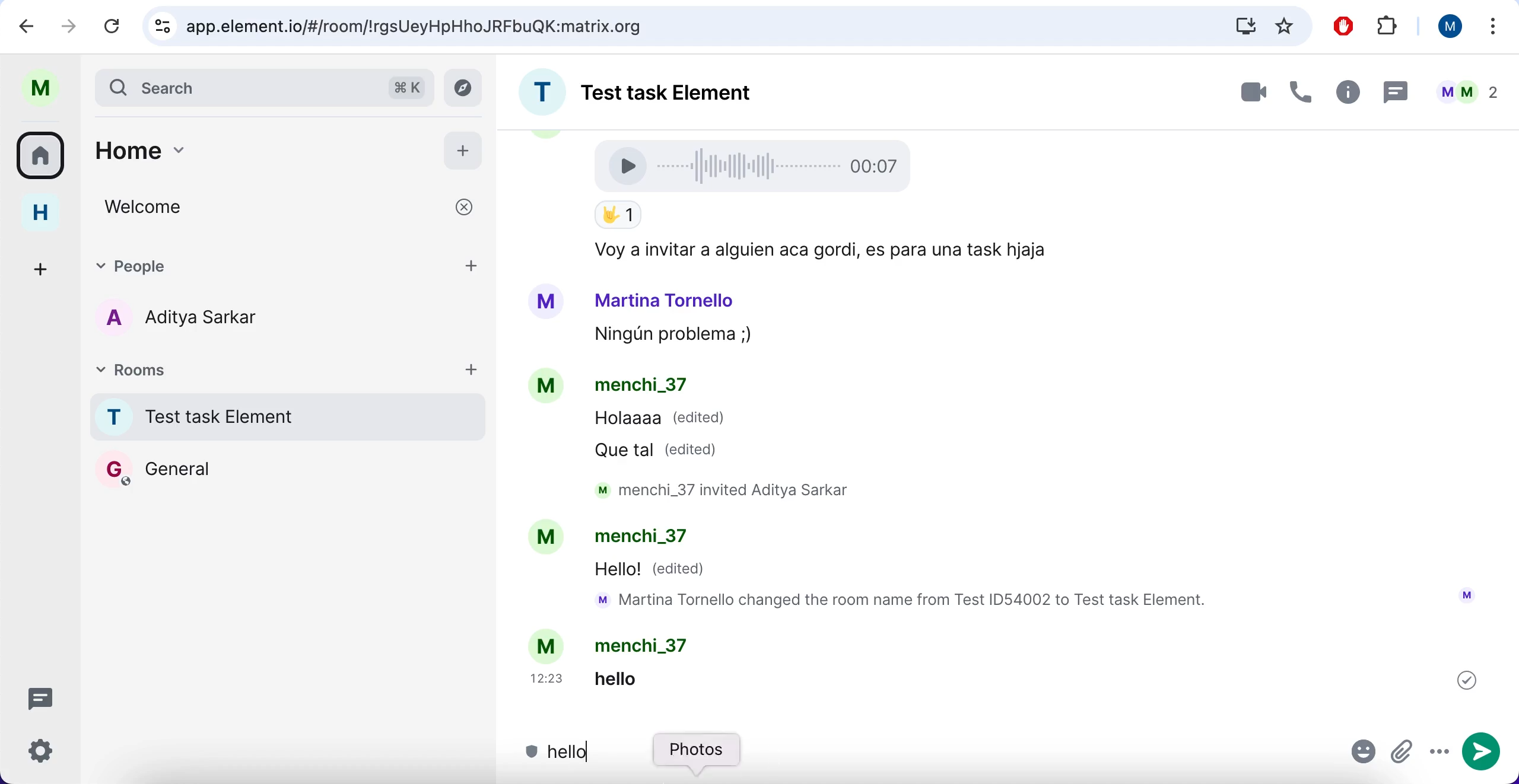 The height and width of the screenshot is (784, 1519). Describe the element at coordinates (466, 88) in the screenshot. I see `explore rooms` at that location.